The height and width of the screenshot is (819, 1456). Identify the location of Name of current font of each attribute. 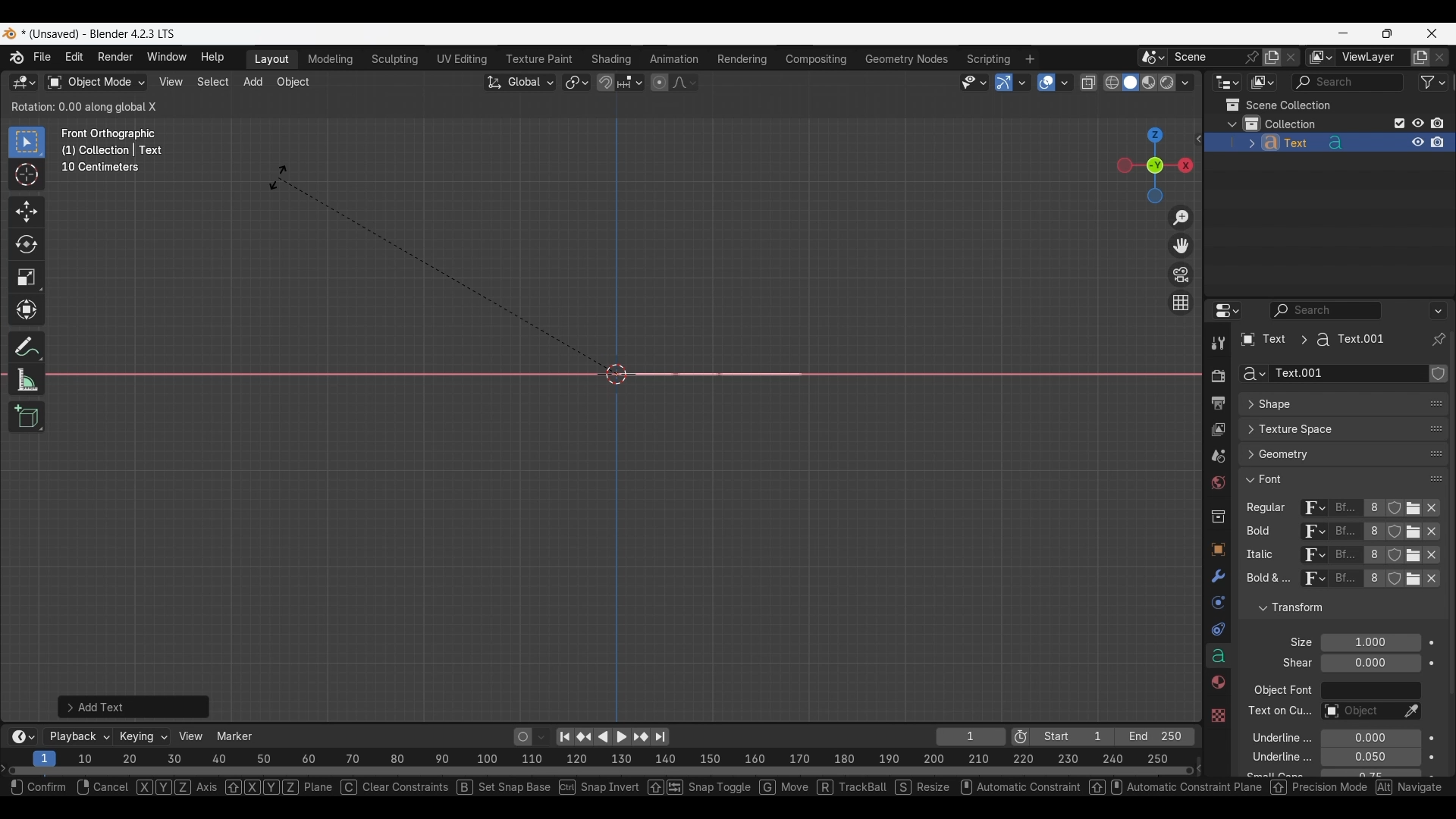
(1346, 544).